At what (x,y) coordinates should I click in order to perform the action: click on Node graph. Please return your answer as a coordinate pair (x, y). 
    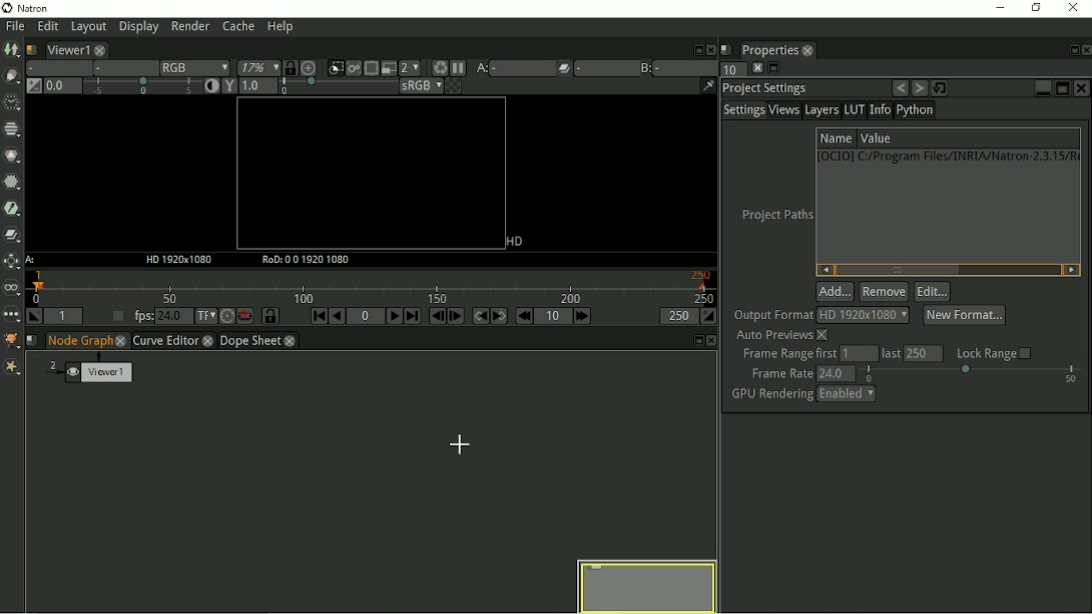
    Looking at the image, I should click on (88, 341).